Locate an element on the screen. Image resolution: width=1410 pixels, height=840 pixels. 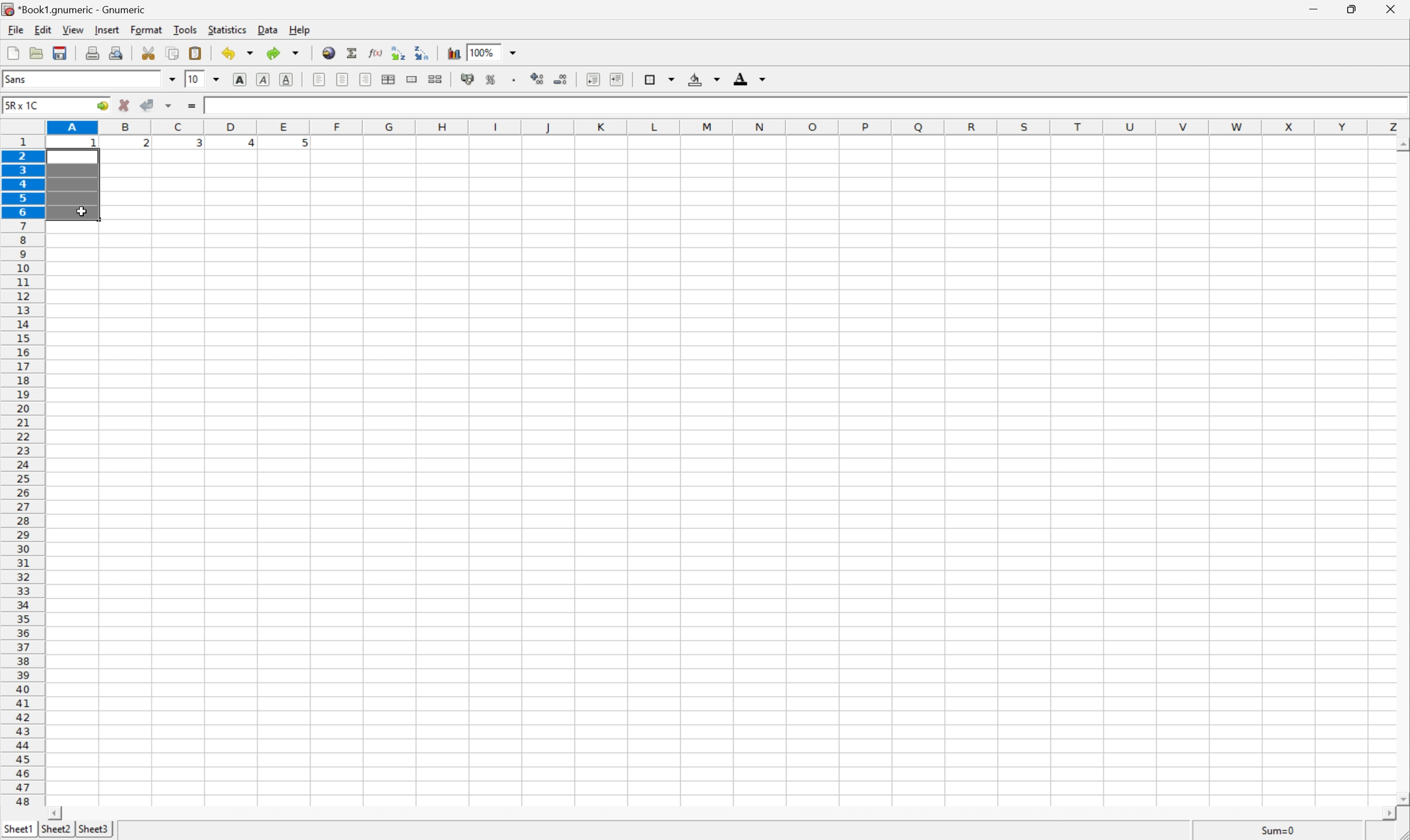
close is located at coordinates (1393, 11).